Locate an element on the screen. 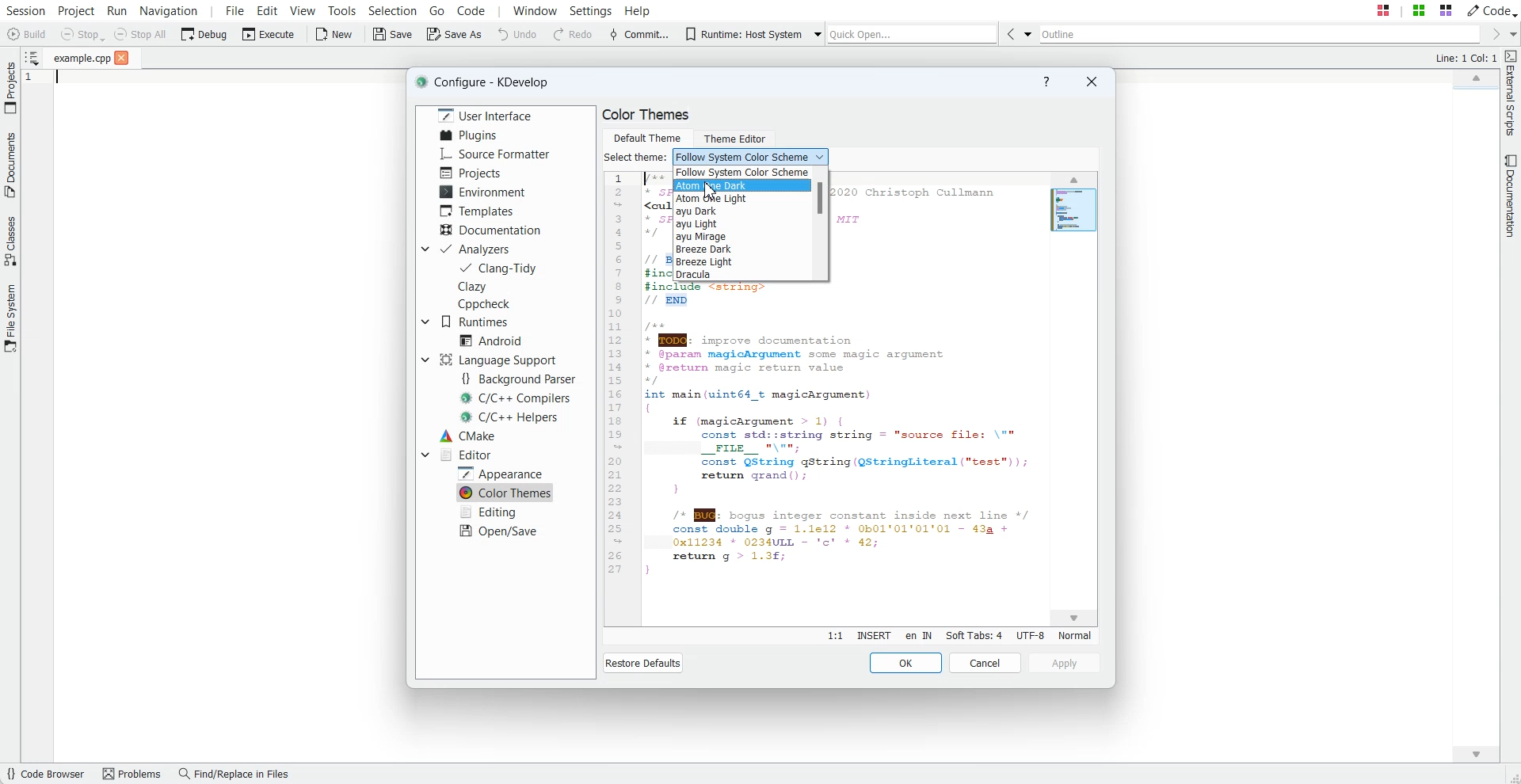 This screenshot has width=1521, height=784. ayu Mirage is located at coordinates (742, 237).